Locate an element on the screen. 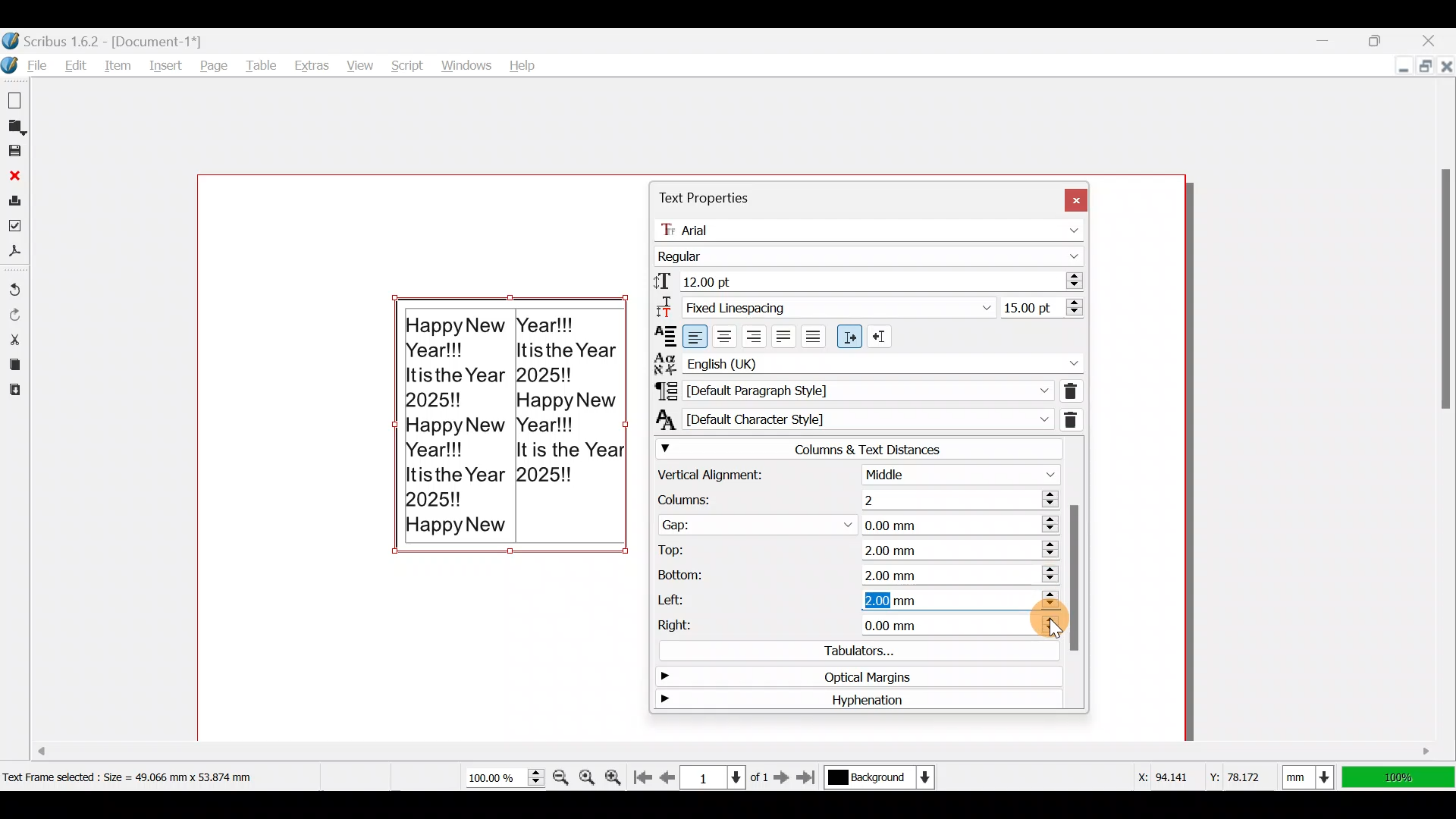  Hyphenation is located at coordinates (852, 701).